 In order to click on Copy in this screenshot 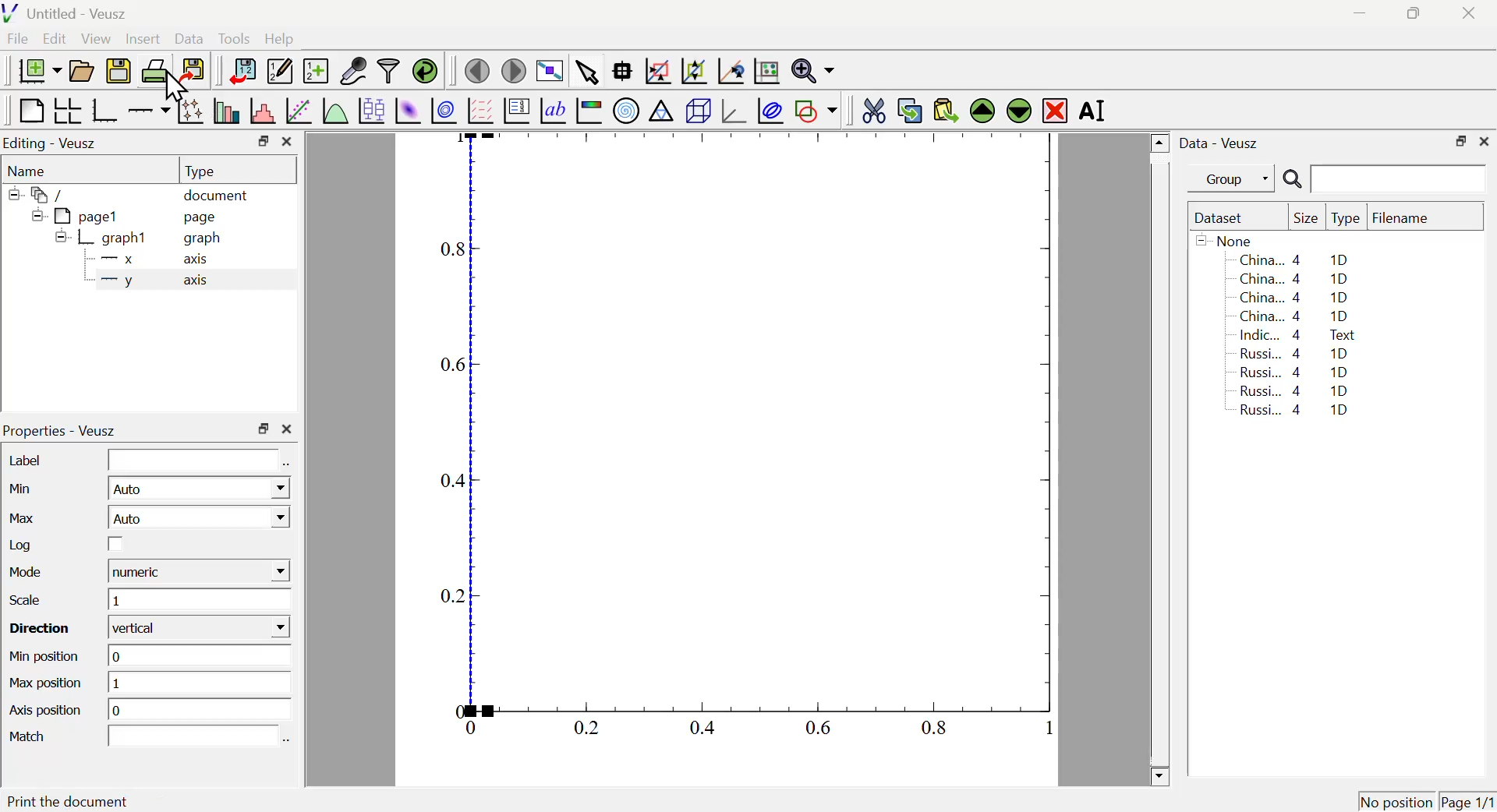, I will do `click(909, 111)`.